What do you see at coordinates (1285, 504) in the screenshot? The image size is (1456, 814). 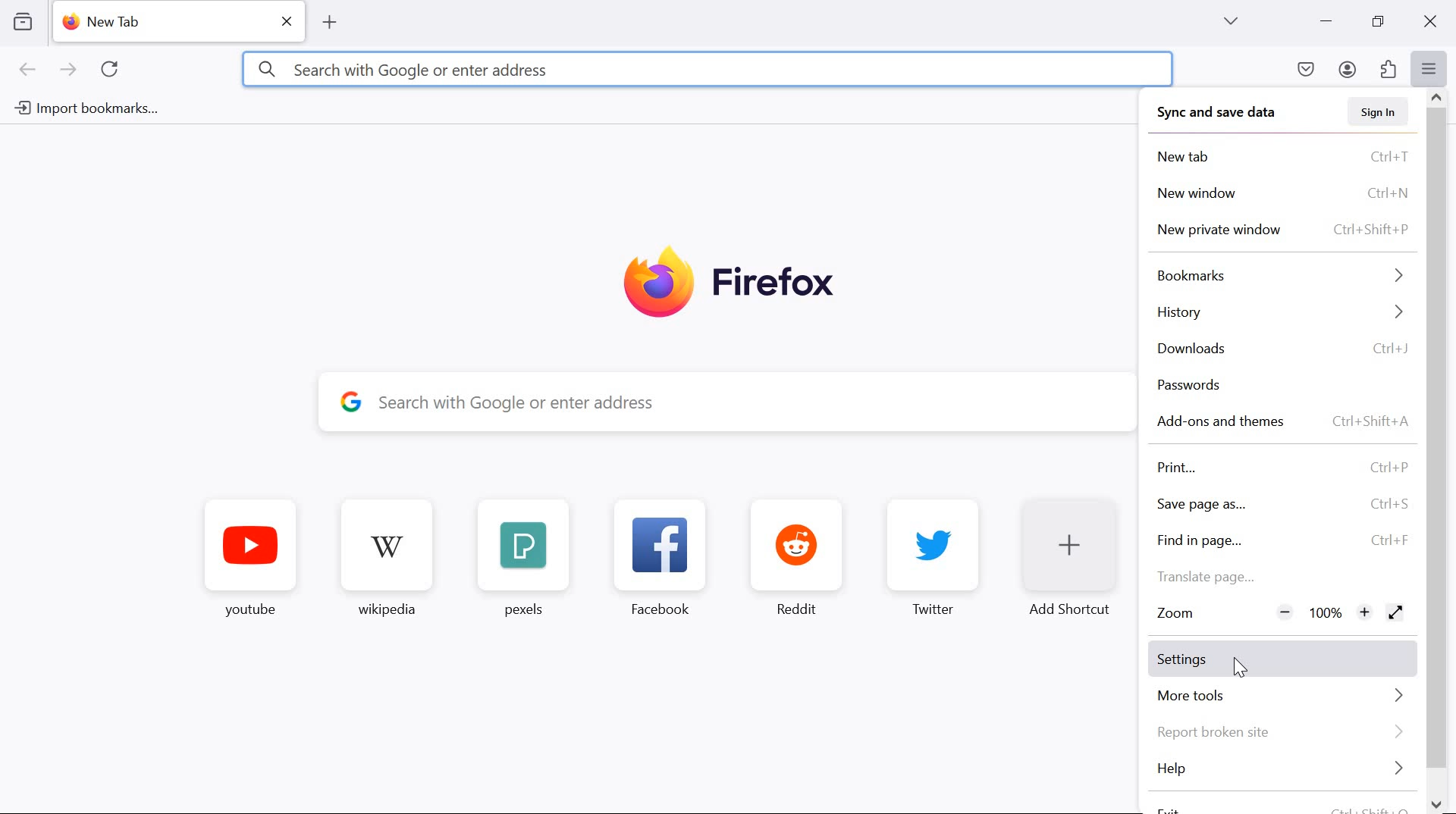 I see `save page as` at bounding box center [1285, 504].